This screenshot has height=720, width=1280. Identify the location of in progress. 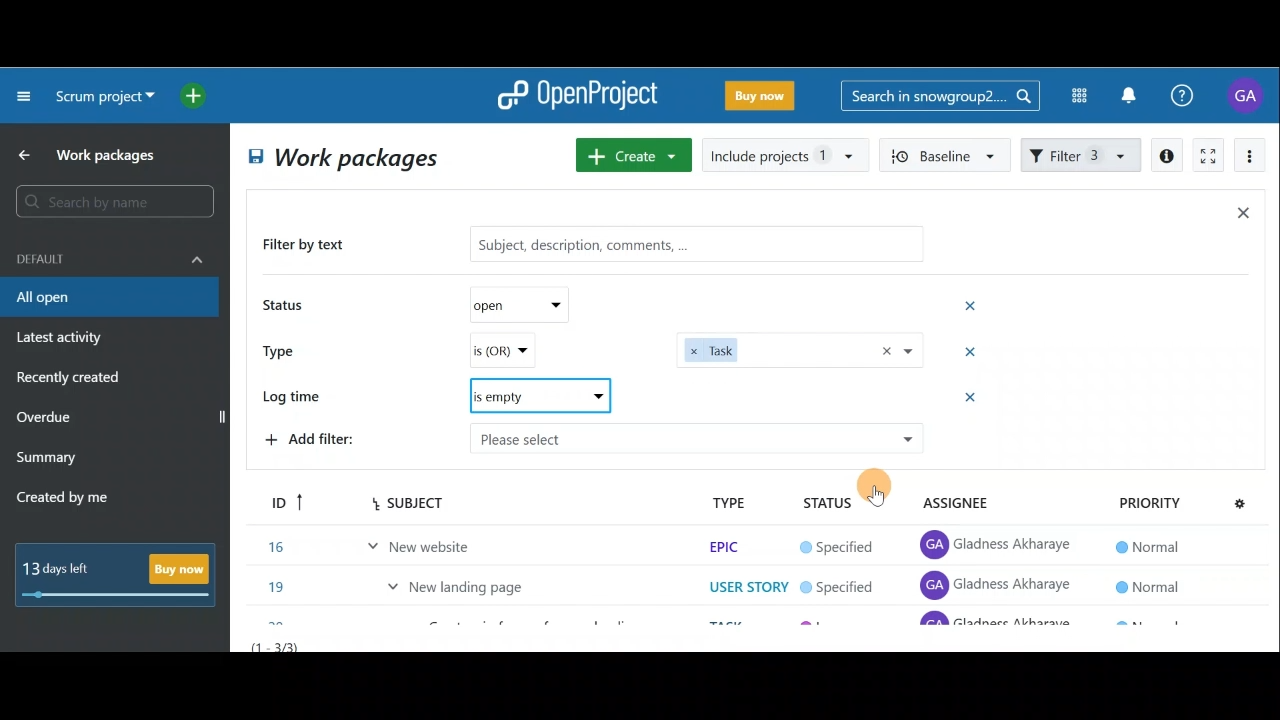
(844, 585).